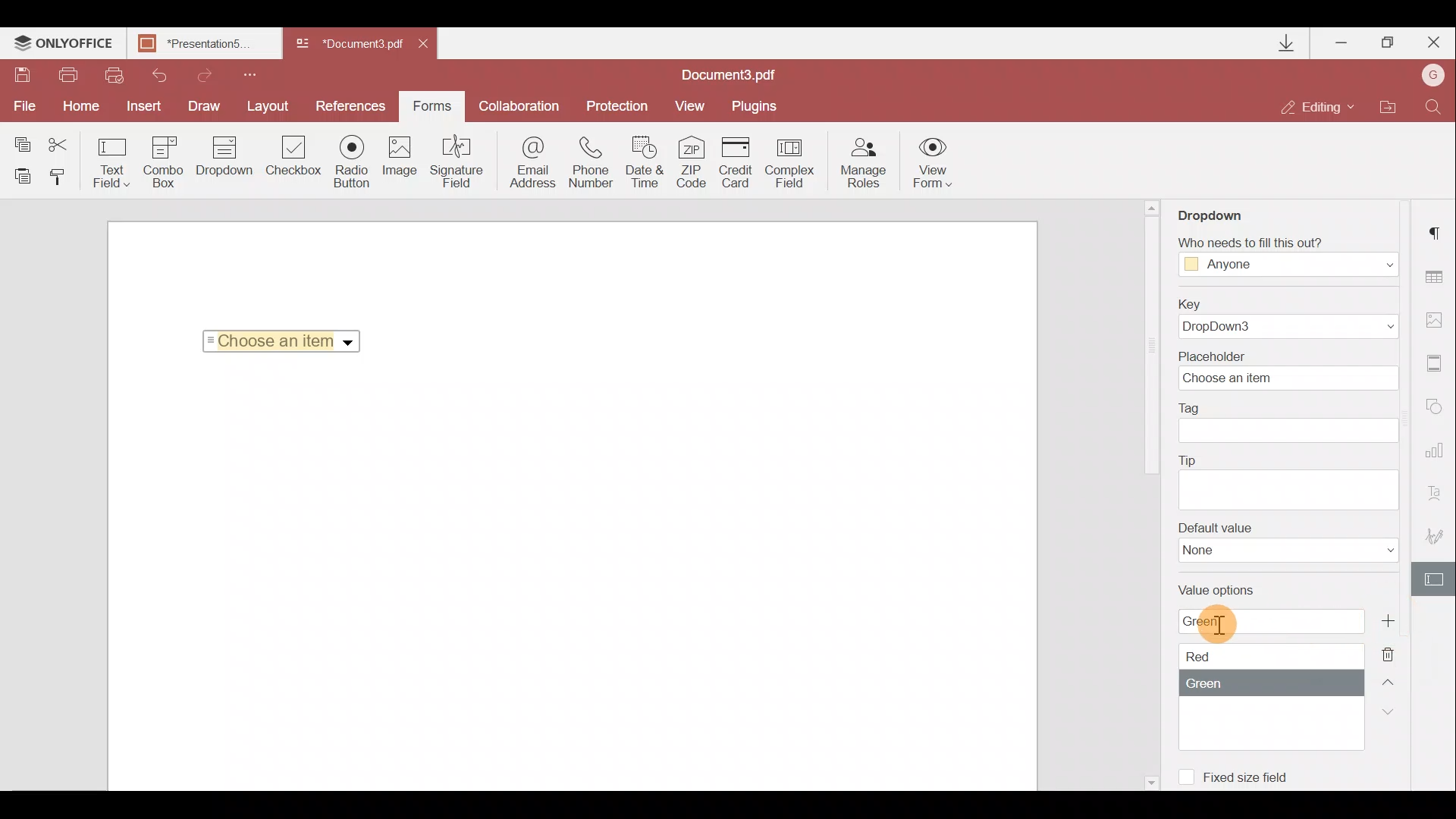 The image size is (1456, 819). Describe the element at coordinates (1339, 42) in the screenshot. I see `Minimize` at that location.